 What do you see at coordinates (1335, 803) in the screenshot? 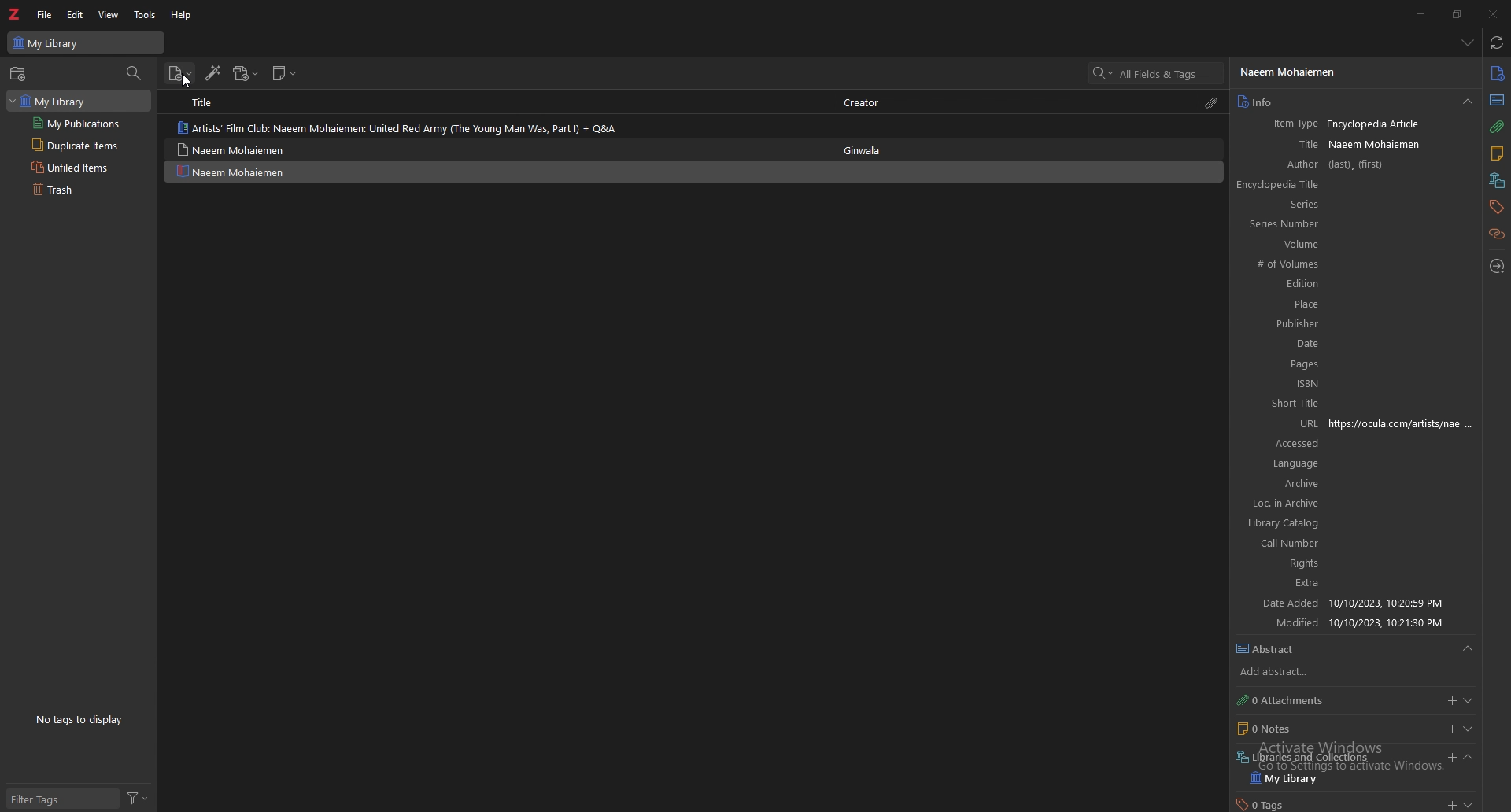
I see `tags` at bounding box center [1335, 803].